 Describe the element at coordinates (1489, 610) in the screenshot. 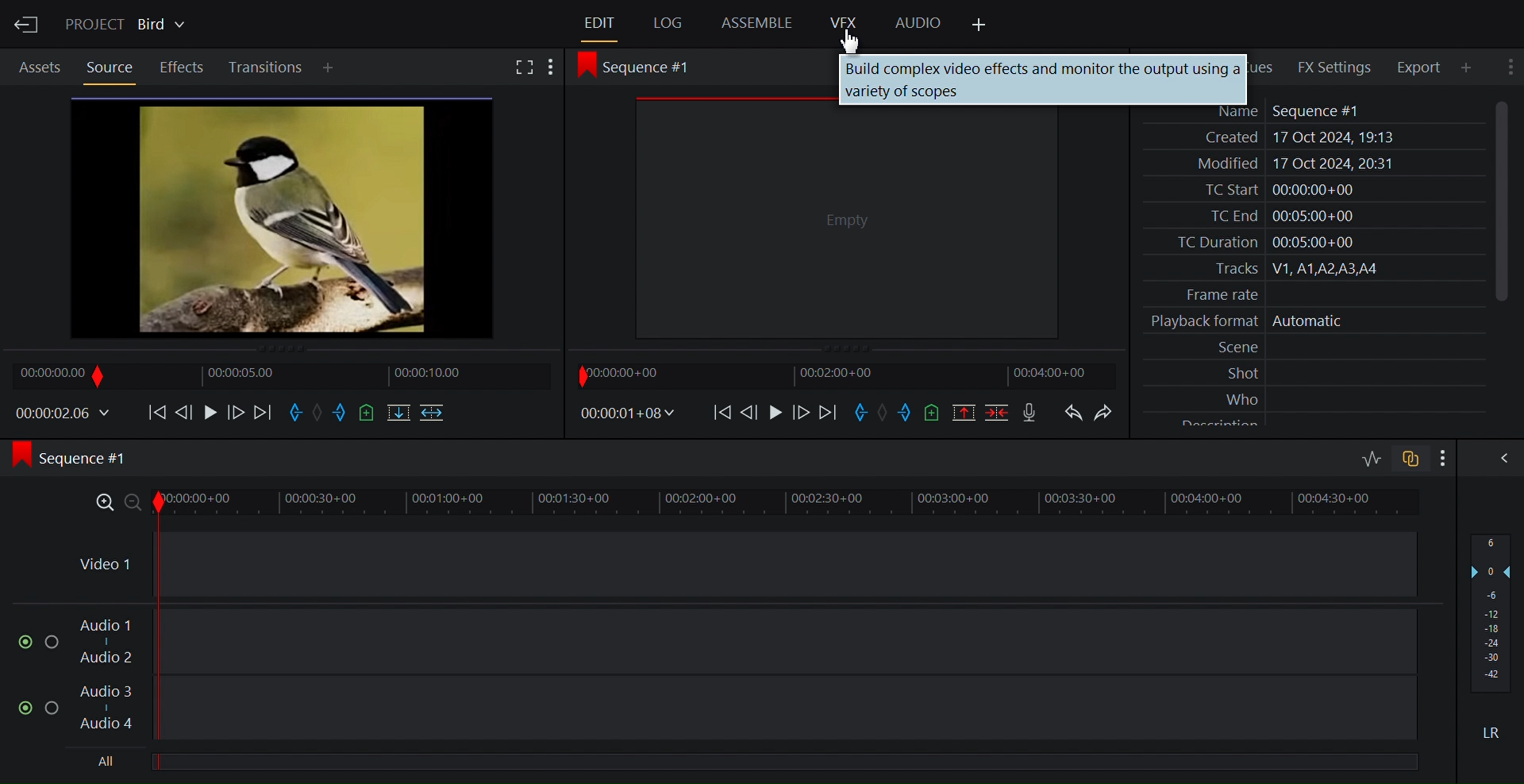

I see `Audio output levels` at that location.